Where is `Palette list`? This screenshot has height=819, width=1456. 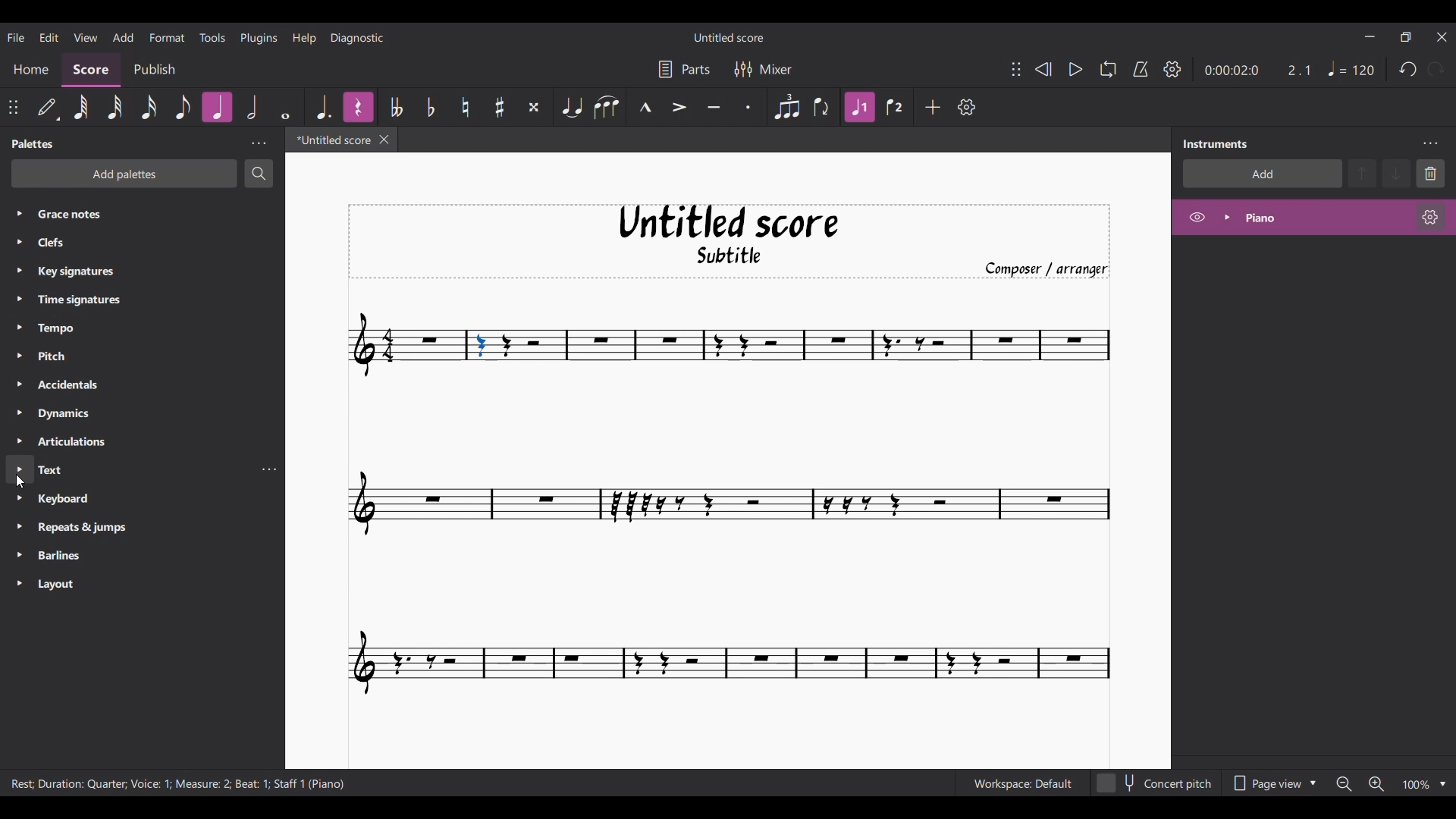
Palette list is located at coordinates (139, 400).